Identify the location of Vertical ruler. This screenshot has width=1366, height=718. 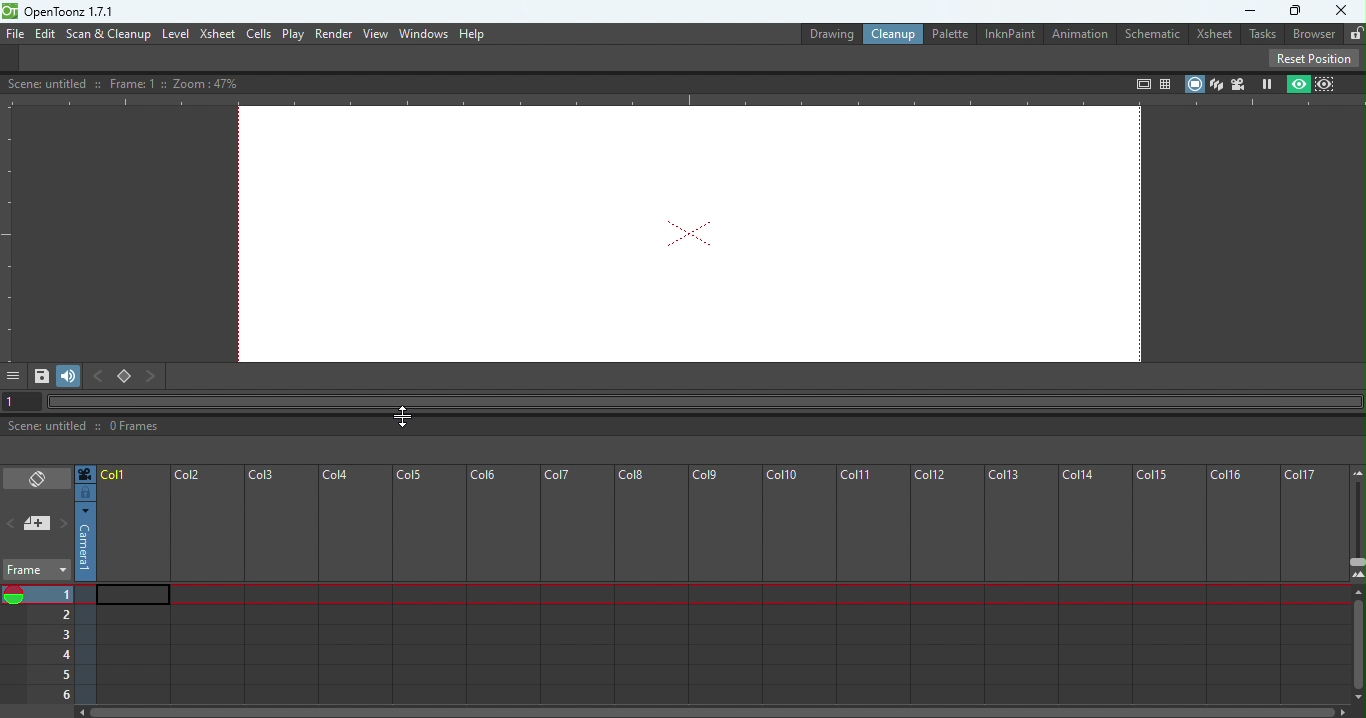
(9, 232).